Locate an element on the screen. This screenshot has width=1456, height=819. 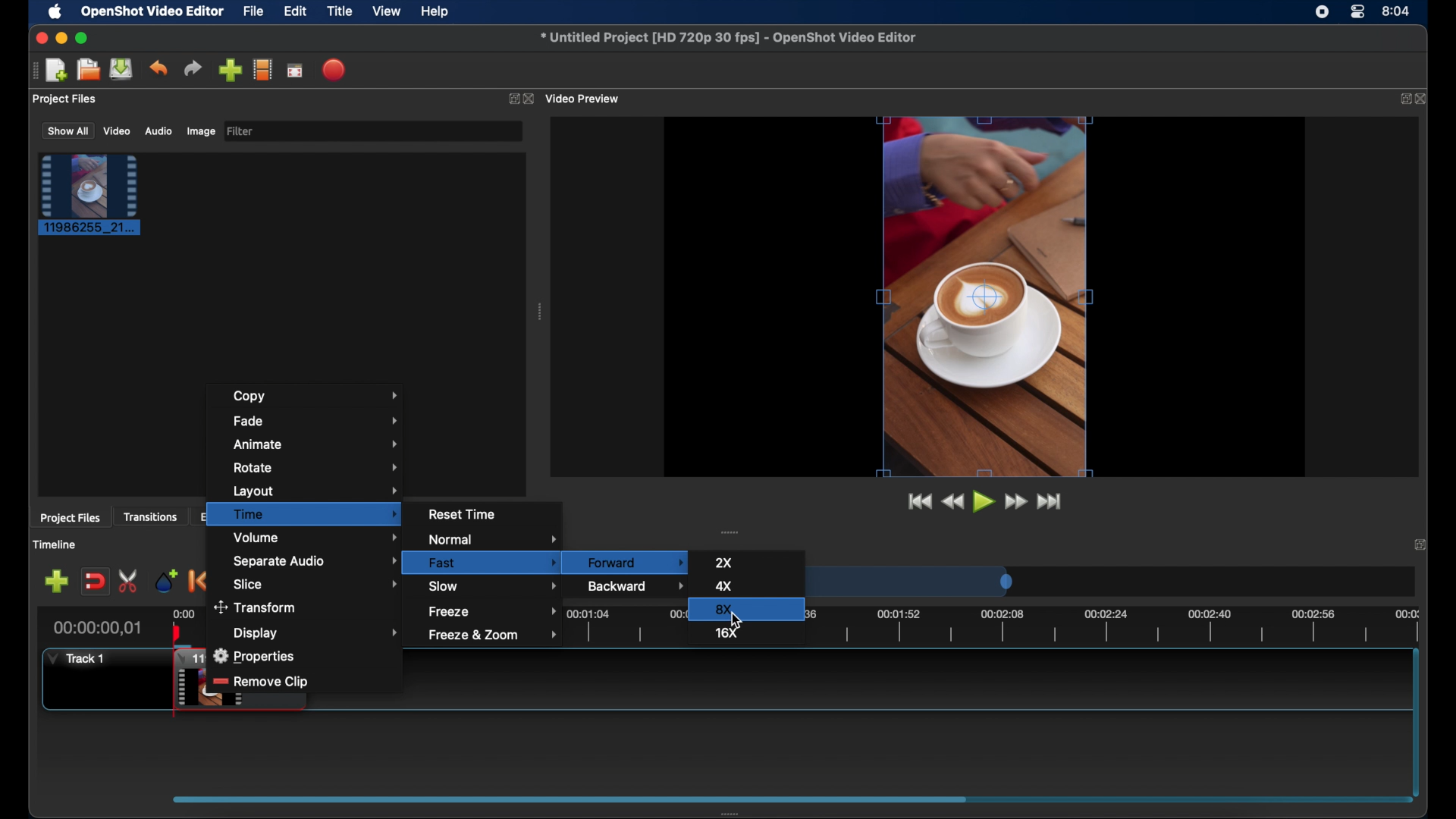
transform is located at coordinates (256, 606).